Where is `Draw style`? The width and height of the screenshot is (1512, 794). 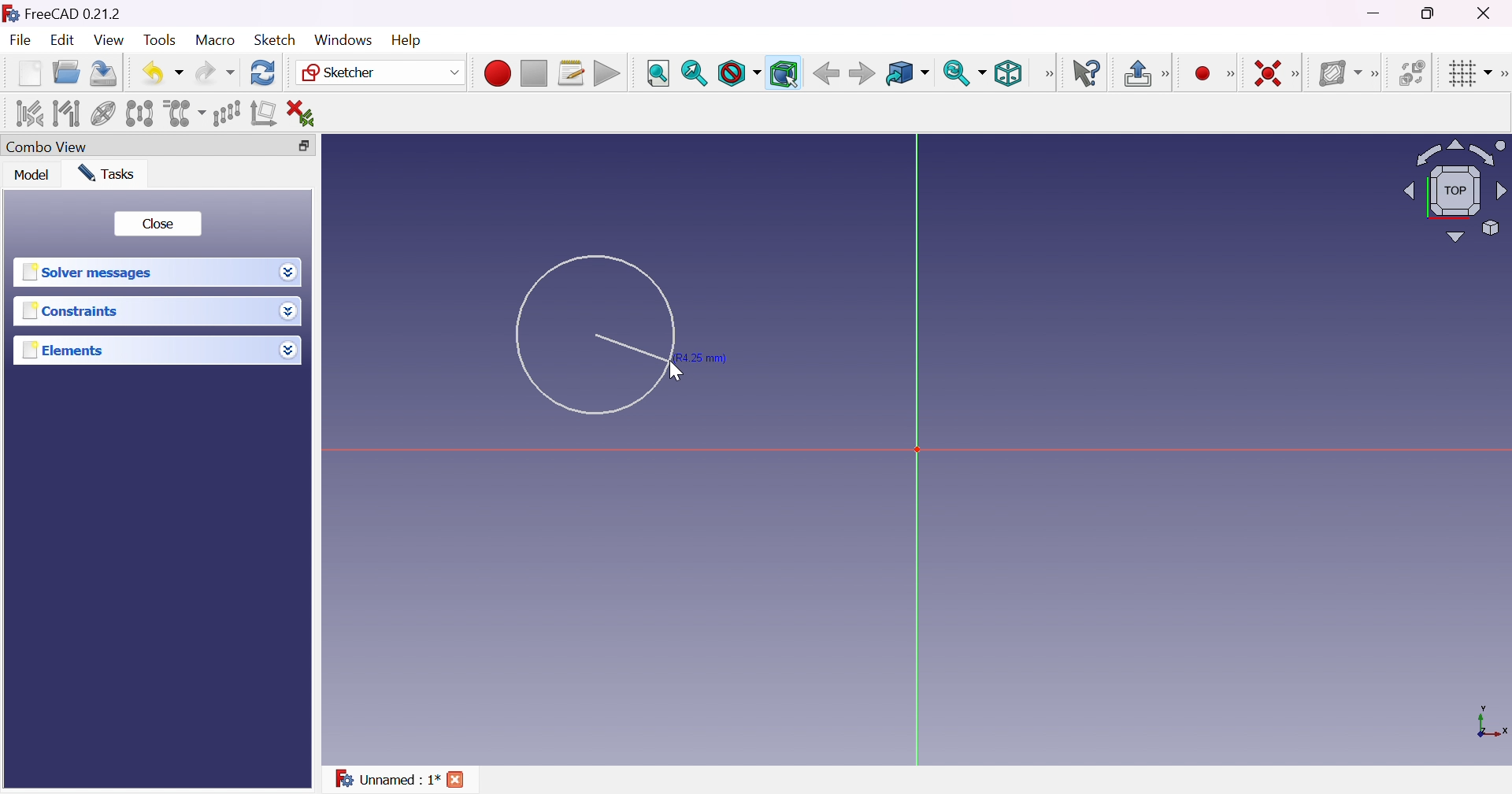 Draw style is located at coordinates (740, 74).